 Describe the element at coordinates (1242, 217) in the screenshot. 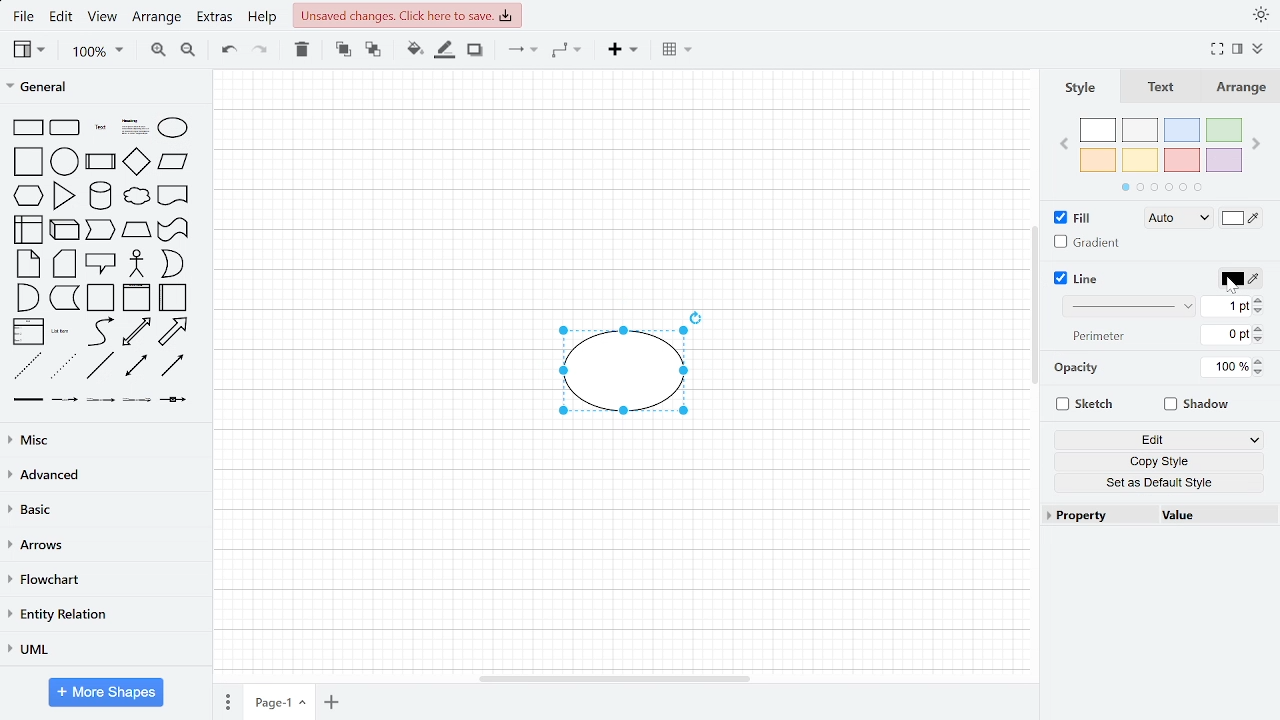

I see `Fill colore` at that location.